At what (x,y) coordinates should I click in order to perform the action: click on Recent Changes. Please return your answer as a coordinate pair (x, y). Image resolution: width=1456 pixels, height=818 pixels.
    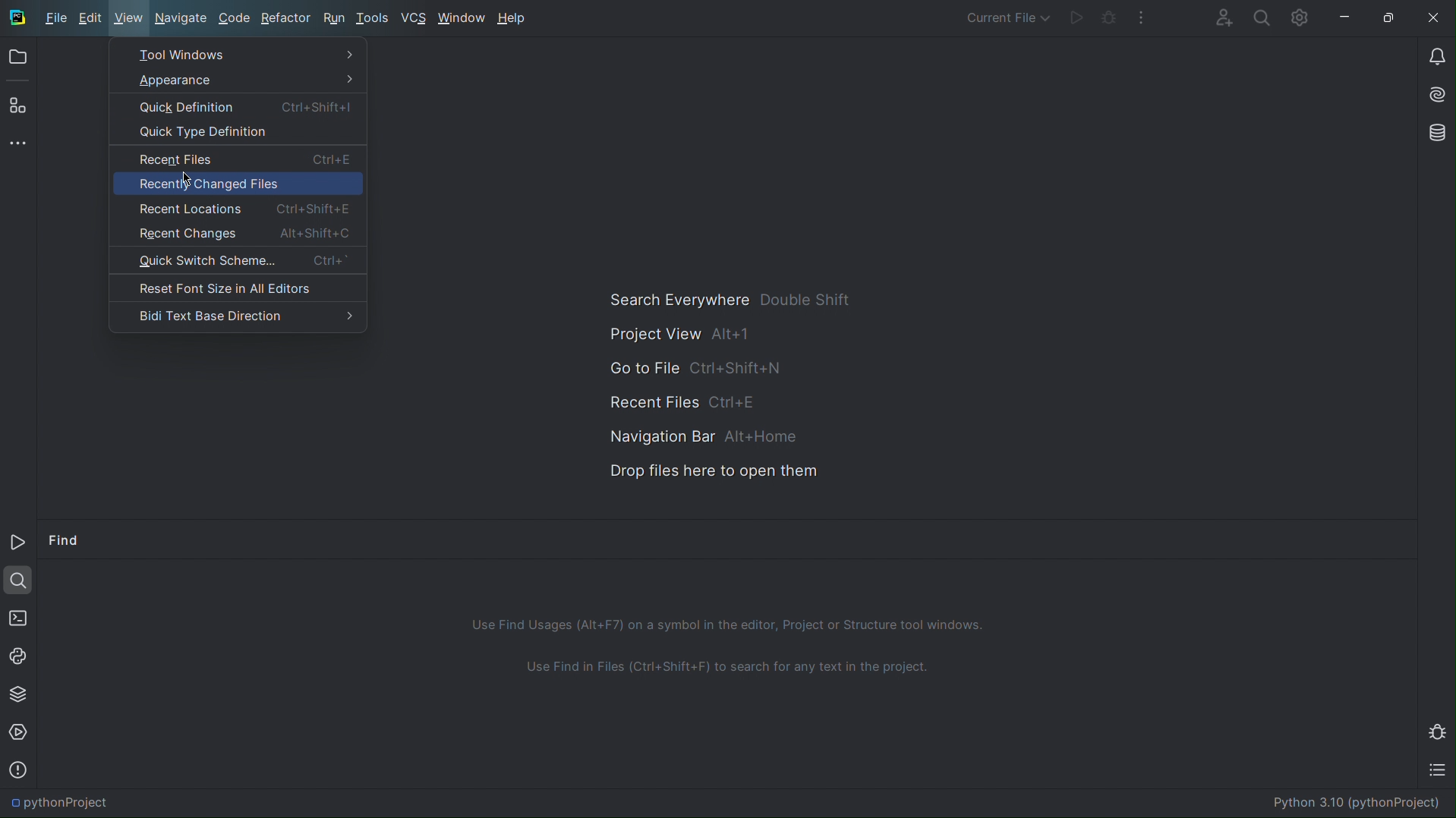
    Looking at the image, I should click on (235, 234).